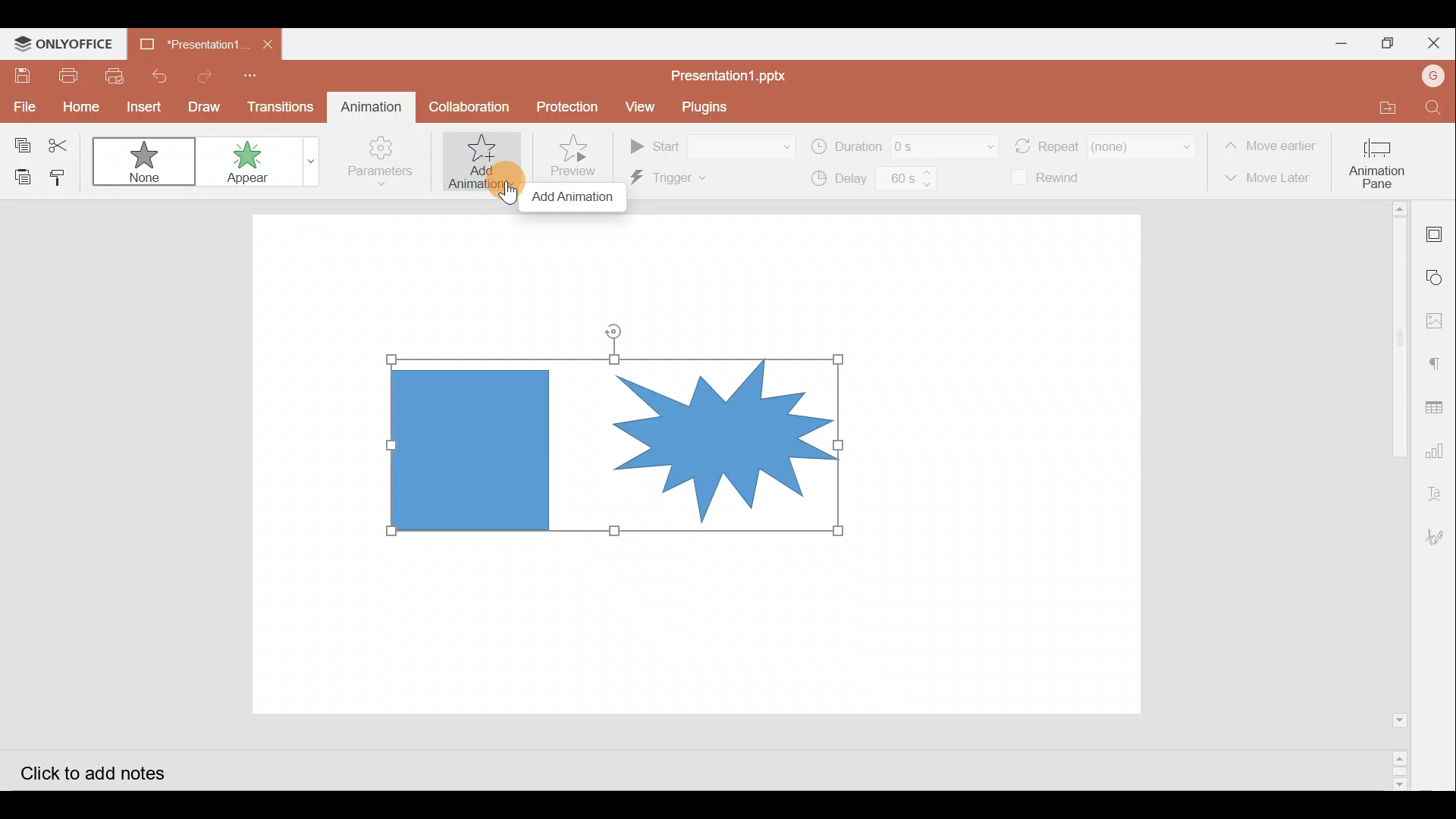 The width and height of the screenshot is (1456, 819). Describe the element at coordinates (1428, 44) in the screenshot. I see `Close` at that location.